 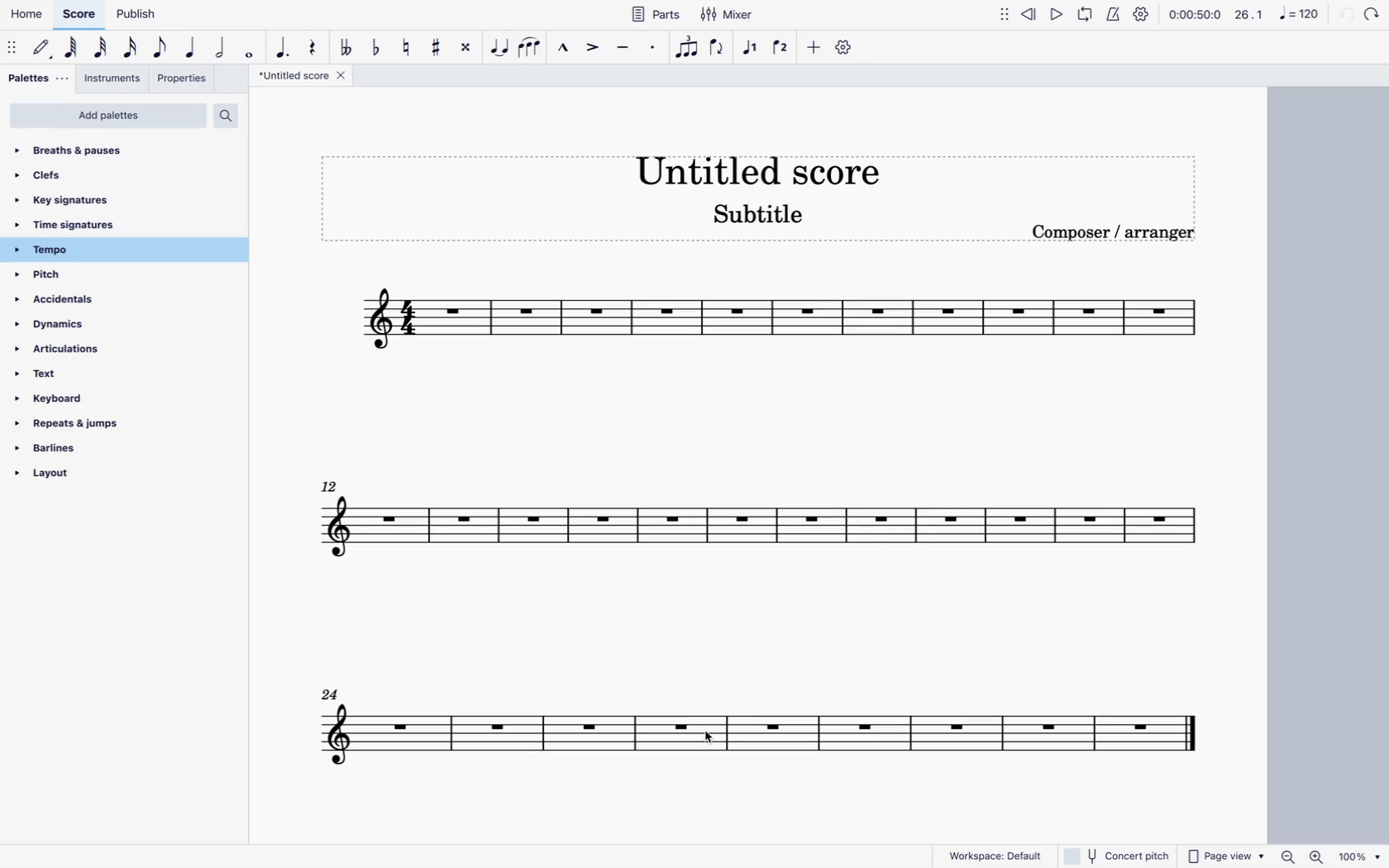 What do you see at coordinates (752, 46) in the screenshot?
I see `voice 1` at bounding box center [752, 46].